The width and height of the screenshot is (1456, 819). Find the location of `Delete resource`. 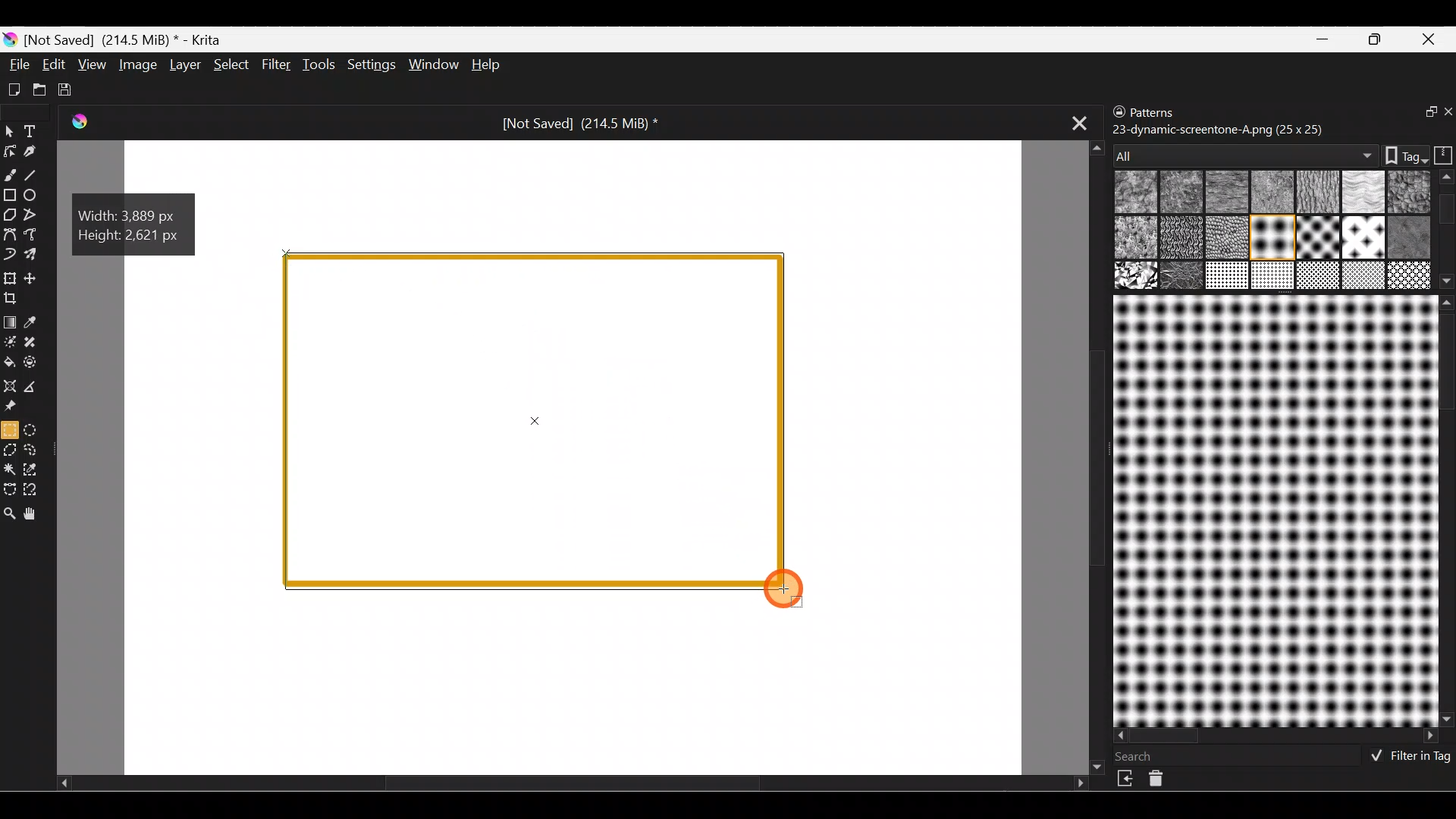

Delete resource is located at coordinates (1164, 782).